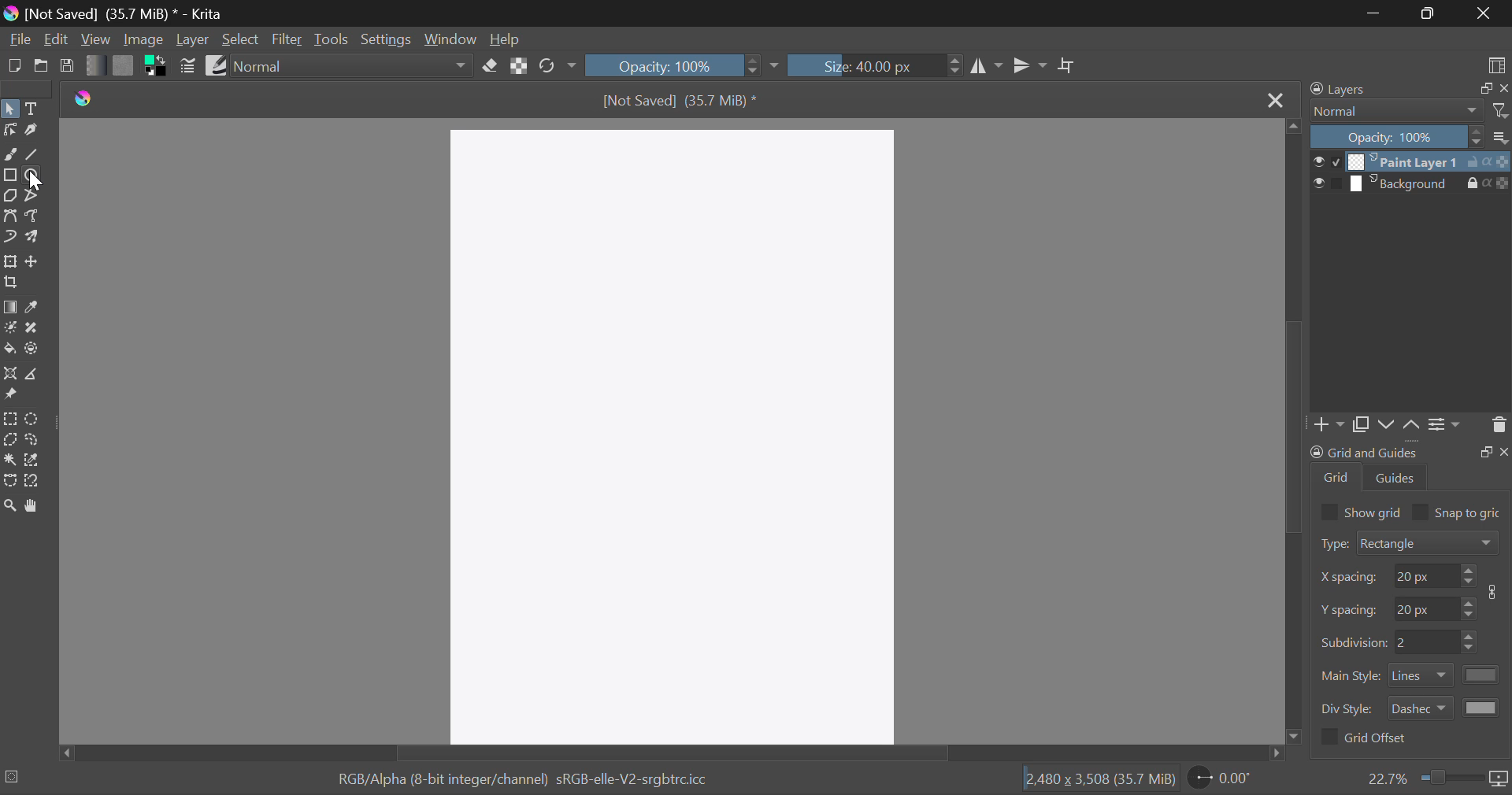 This screenshot has width=1512, height=795. I want to click on Edit Shapes, so click(9, 129).